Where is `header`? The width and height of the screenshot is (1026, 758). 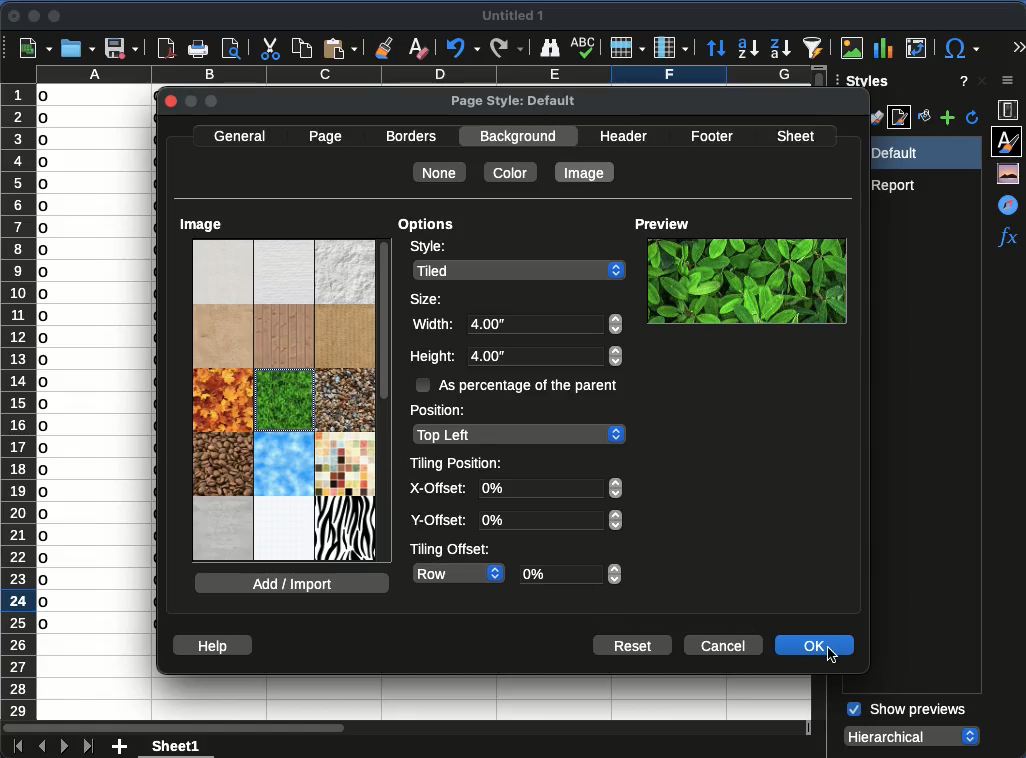 header is located at coordinates (624, 135).